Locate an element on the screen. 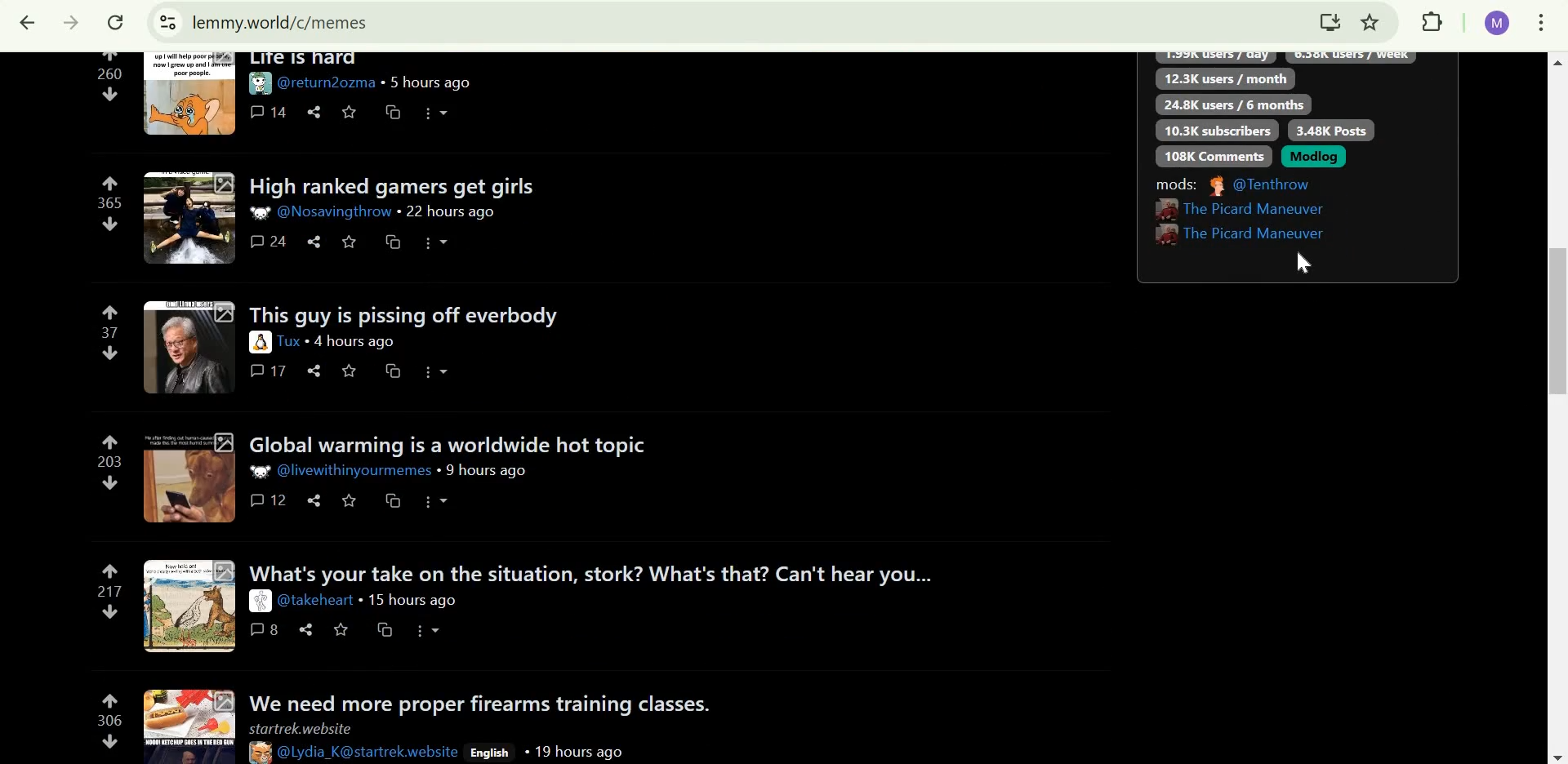 This screenshot has height=764, width=1568. Modlog is located at coordinates (1316, 157).